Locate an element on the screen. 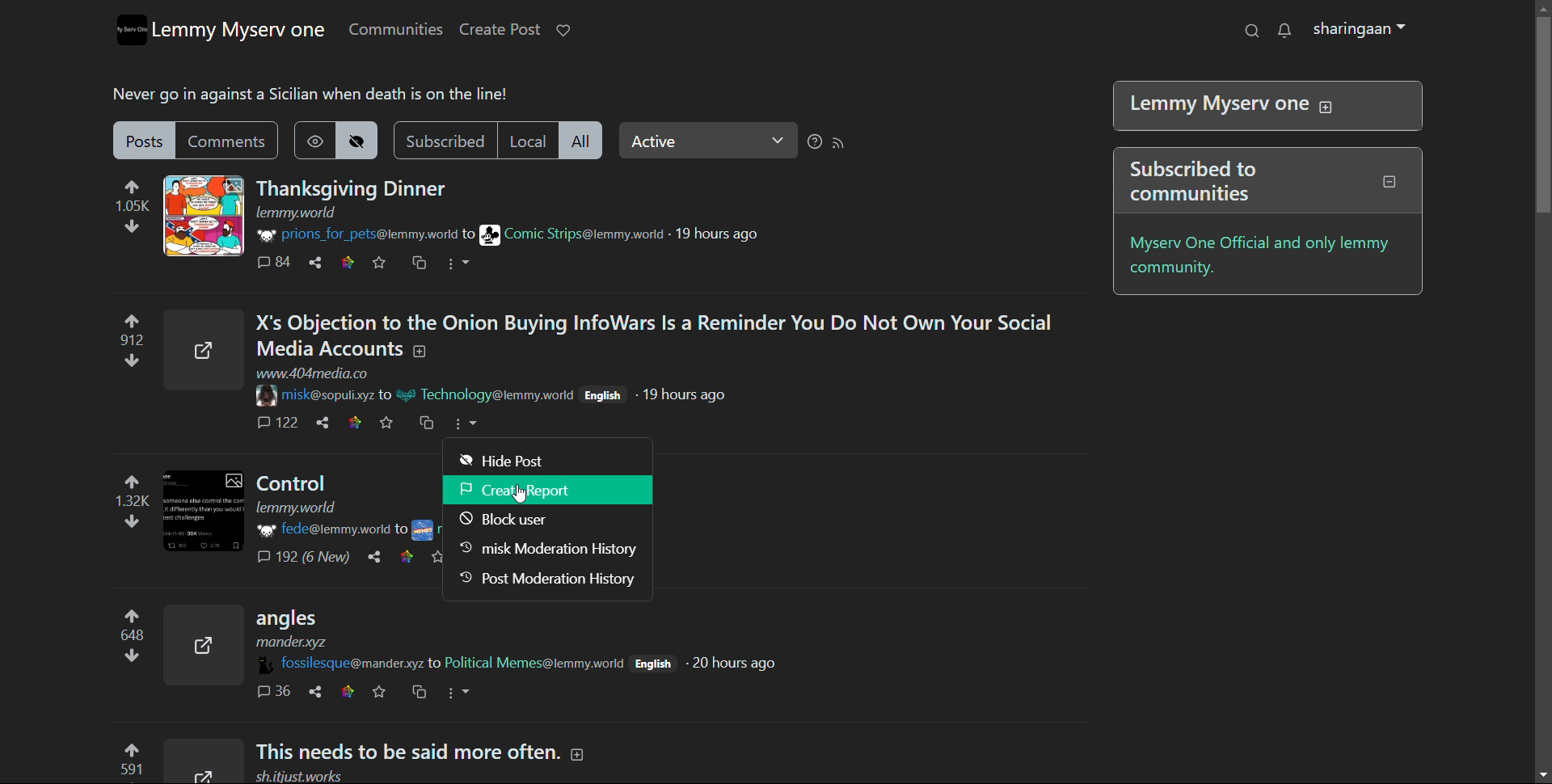 Image resolution: width=1552 pixels, height=784 pixels. upvote and downvote is located at coordinates (133, 209).